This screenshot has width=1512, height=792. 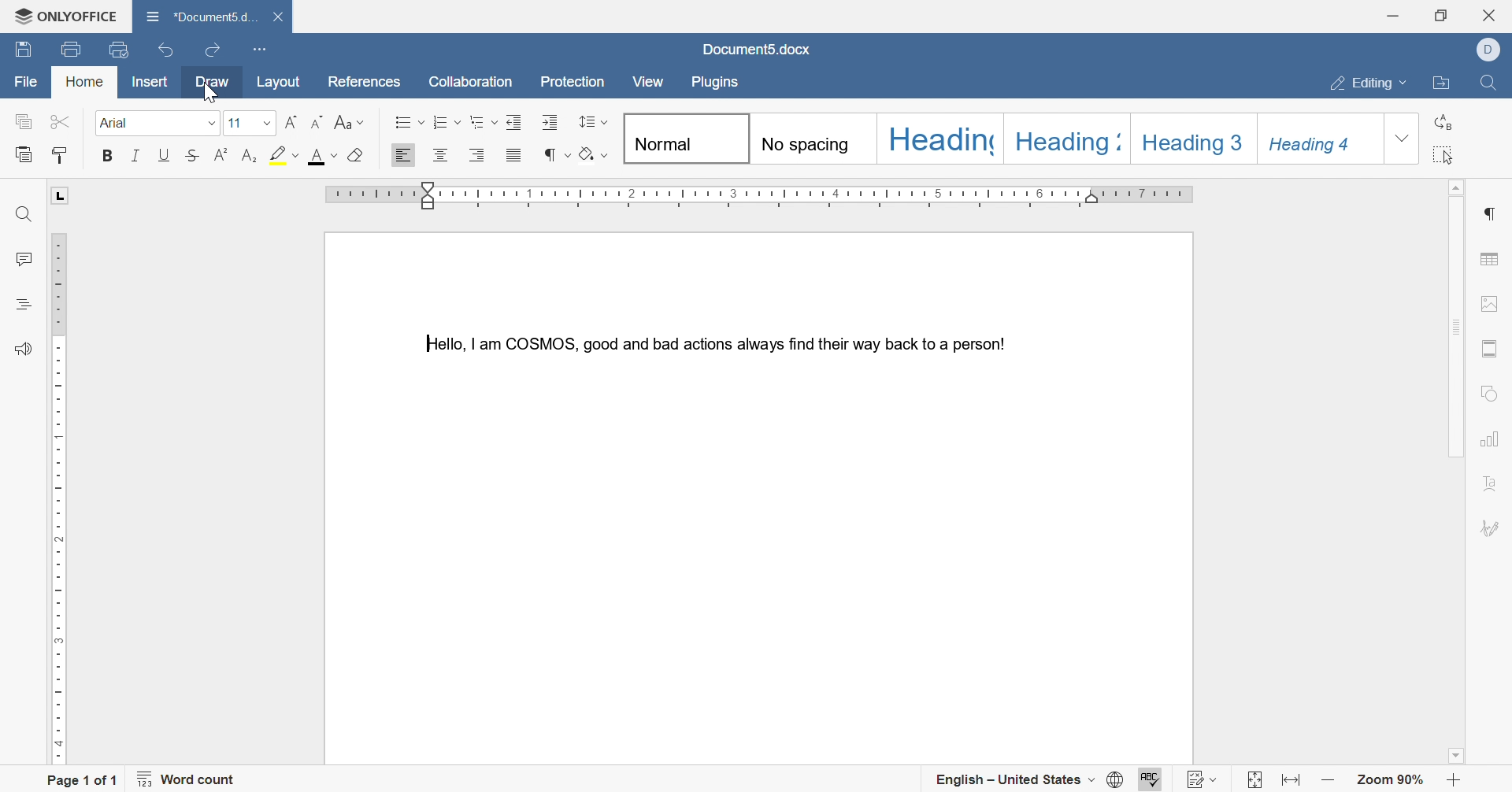 I want to click on page 1 of 1, so click(x=83, y=779).